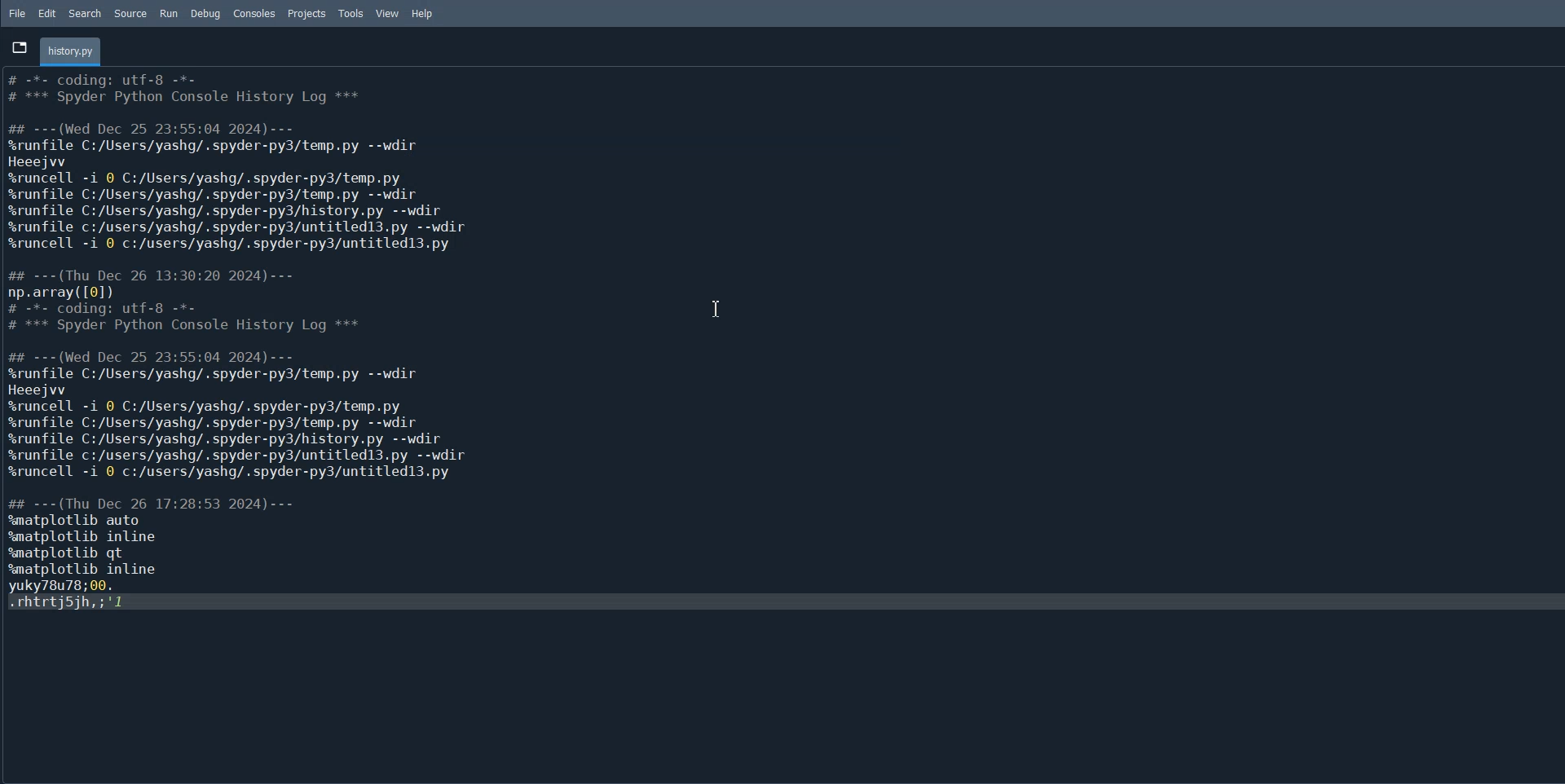 The height and width of the screenshot is (784, 1565). I want to click on Tools, so click(350, 13).